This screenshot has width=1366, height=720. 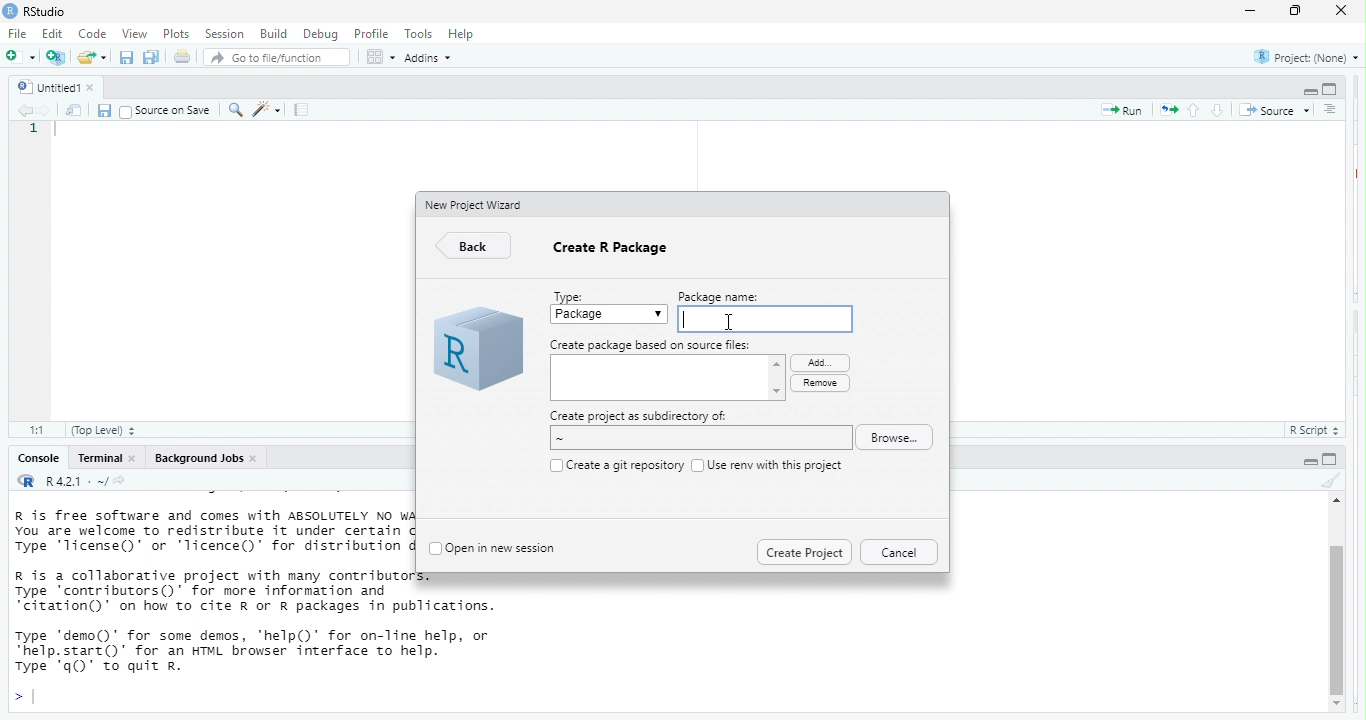 I want to click on save all open documents, so click(x=152, y=57).